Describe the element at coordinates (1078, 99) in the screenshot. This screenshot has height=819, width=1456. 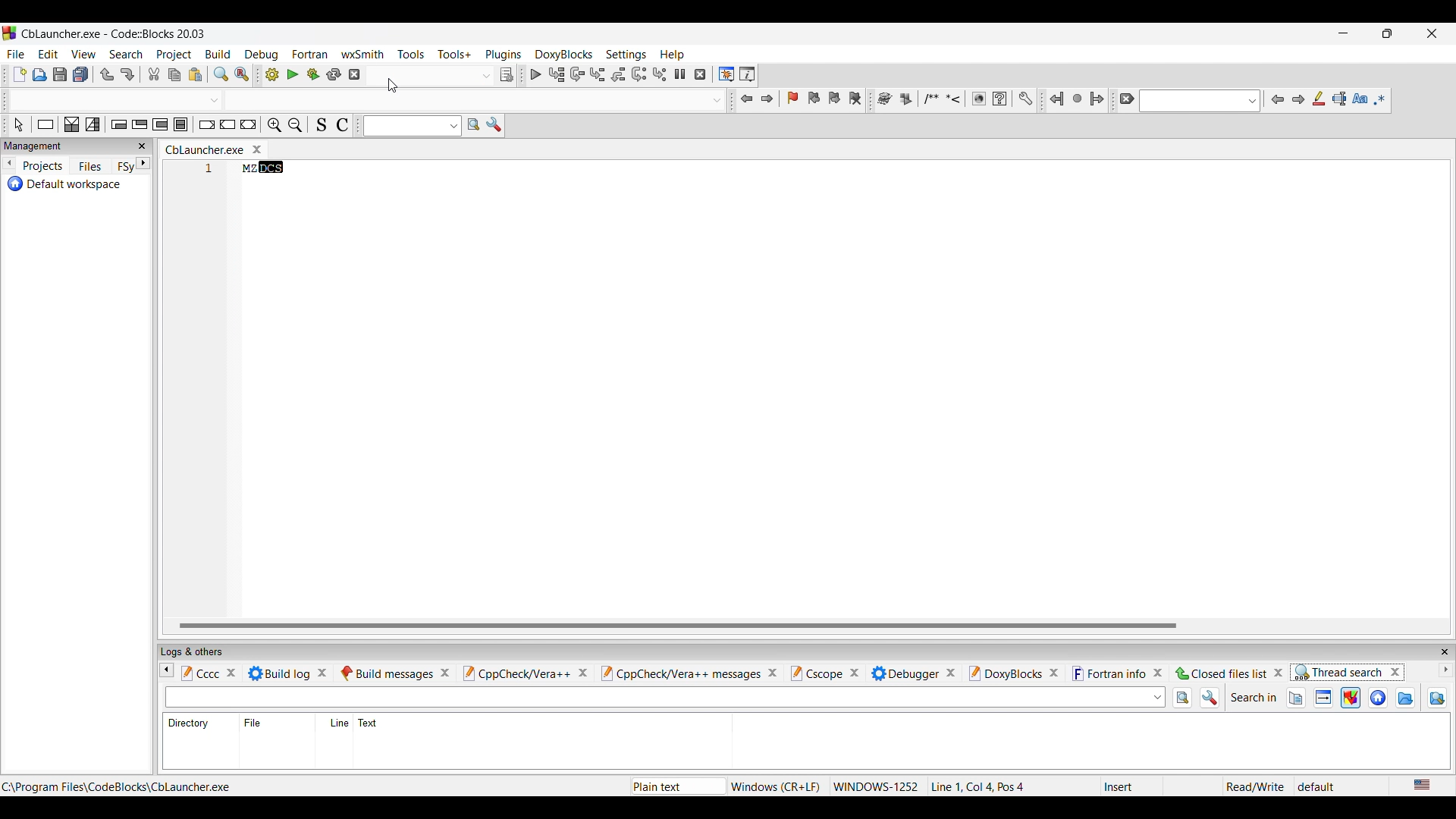
I see `Last jump` at that location.